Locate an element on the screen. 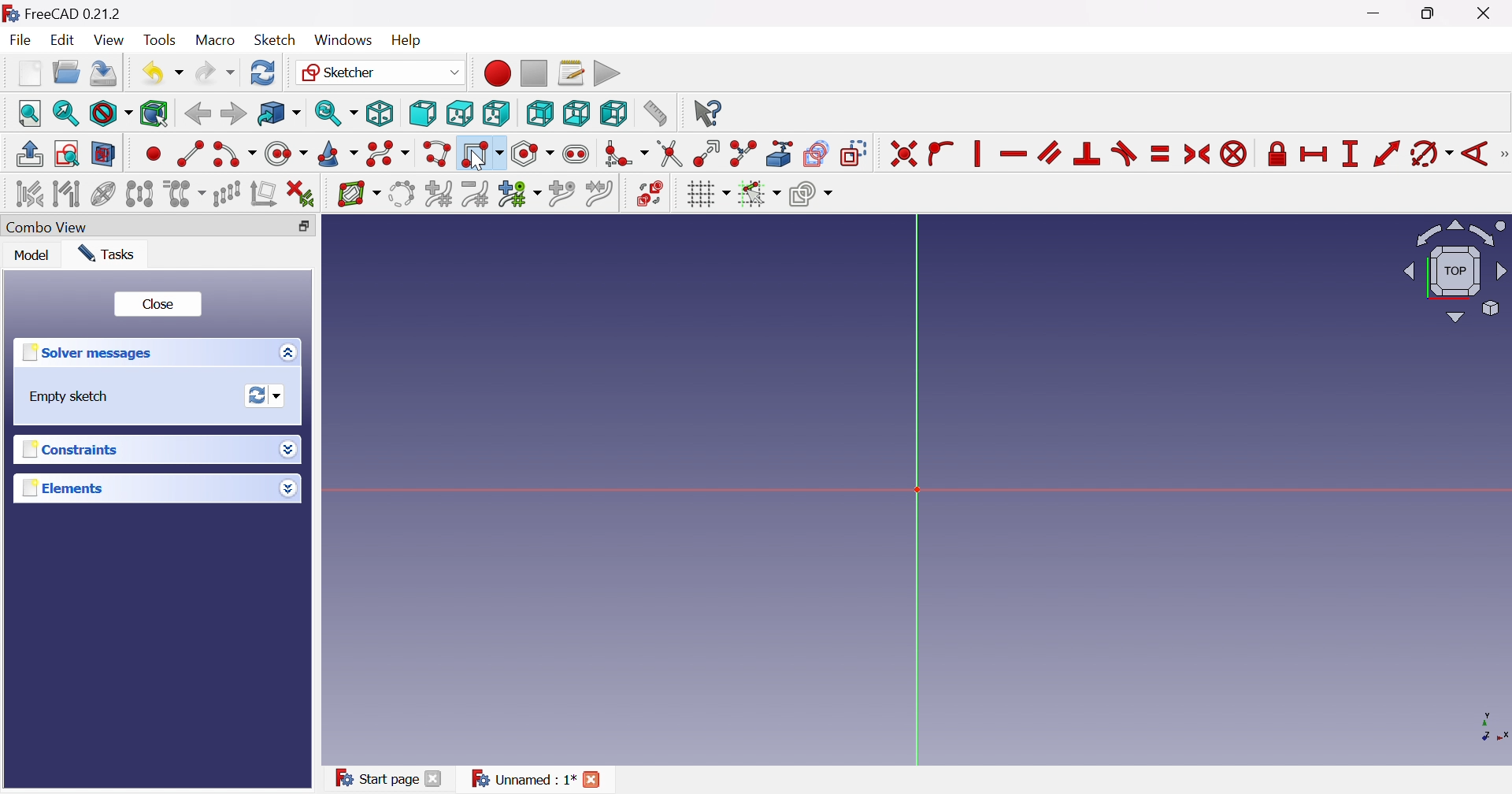 This screenshot has height=794, width=1512. Help is located at coordinates (407, 40).